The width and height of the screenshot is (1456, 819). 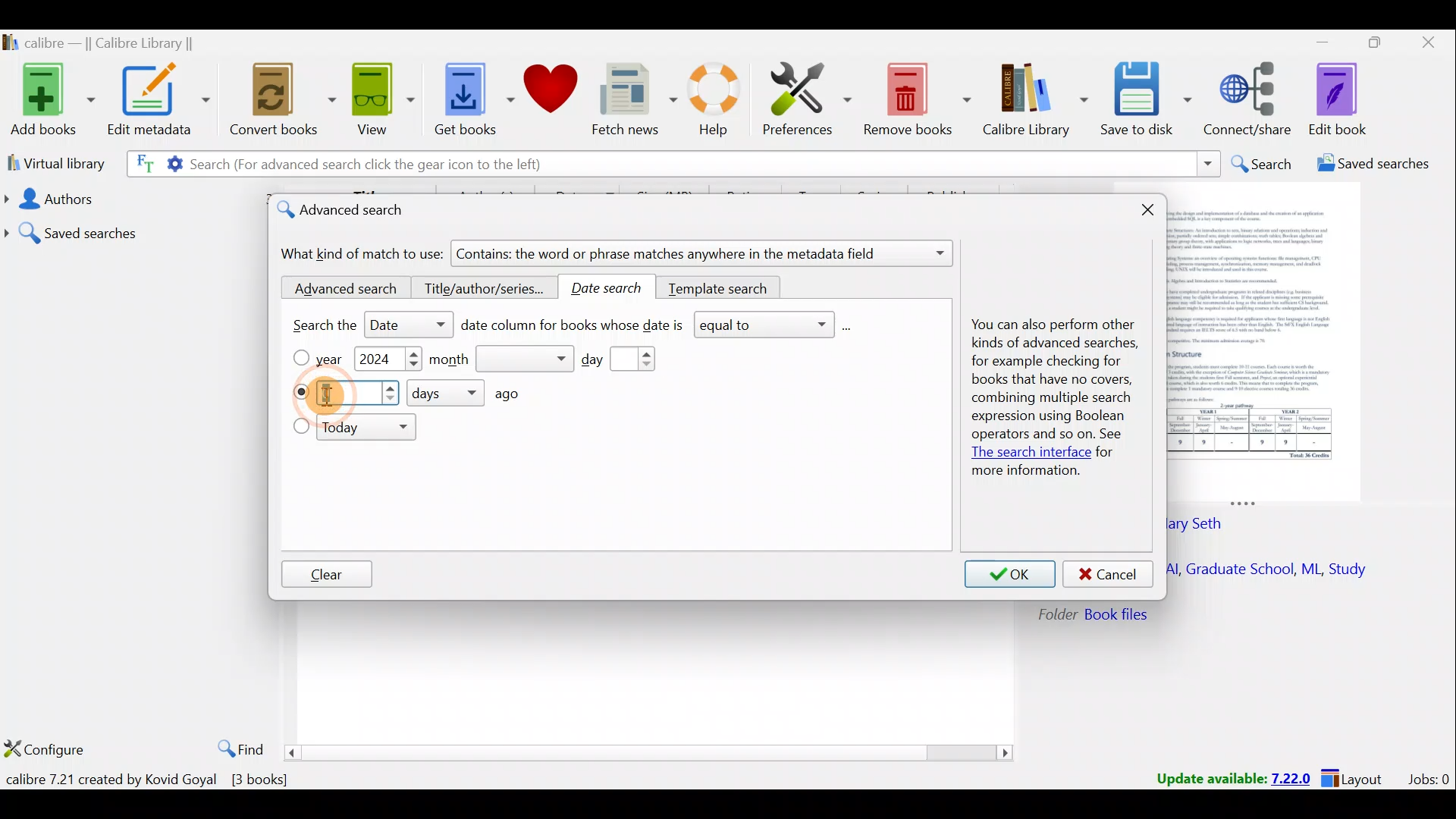 What do you see at coordinates (1207, 164) in the screenshot?
I see `Search dropdown` at bounding box center [1207, 164].